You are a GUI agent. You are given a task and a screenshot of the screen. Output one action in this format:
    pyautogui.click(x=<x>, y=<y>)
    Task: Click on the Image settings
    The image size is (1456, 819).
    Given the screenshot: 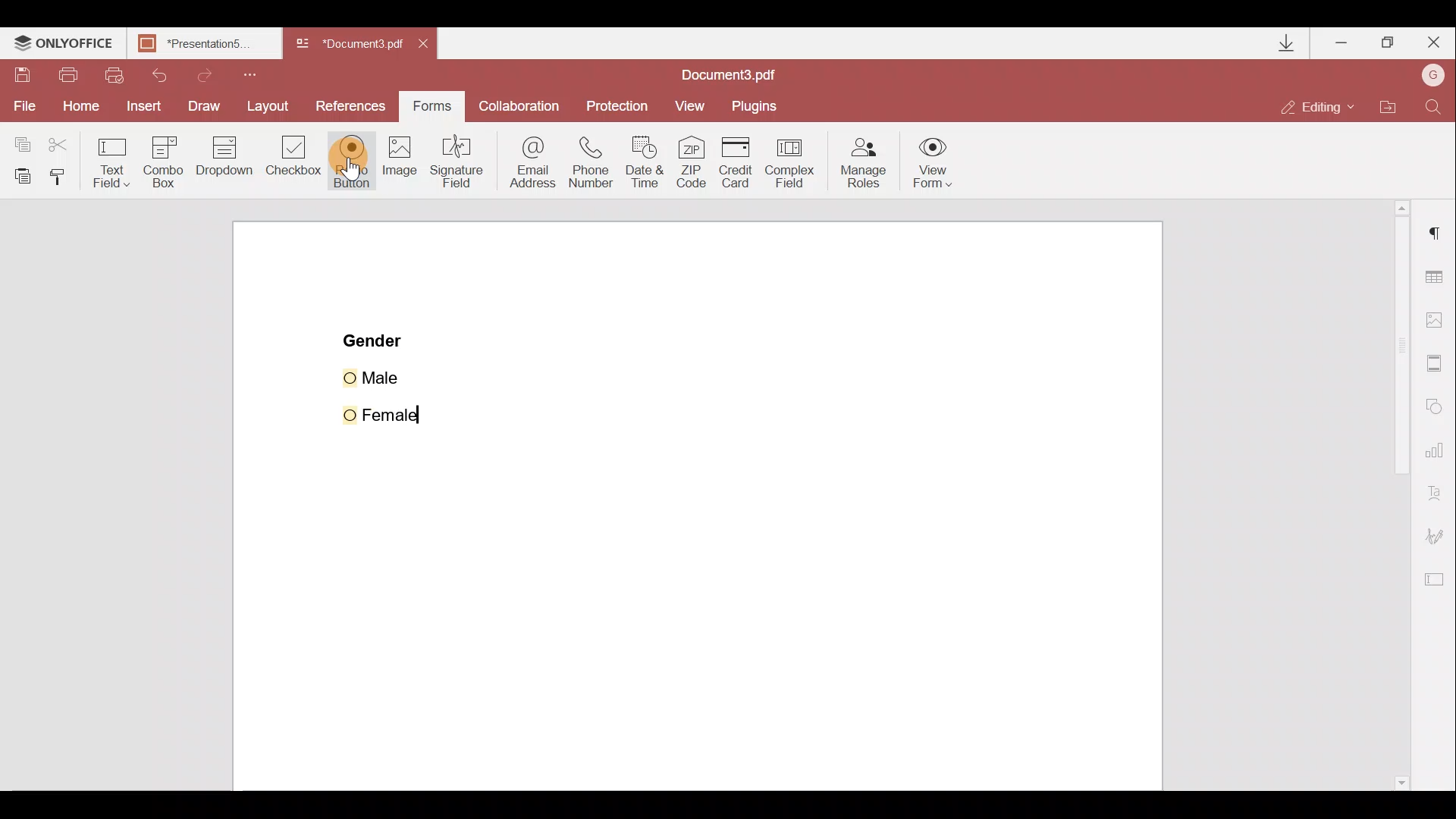 What is the action you would take?
    pyautogui.click(x=1442, y=321)
    